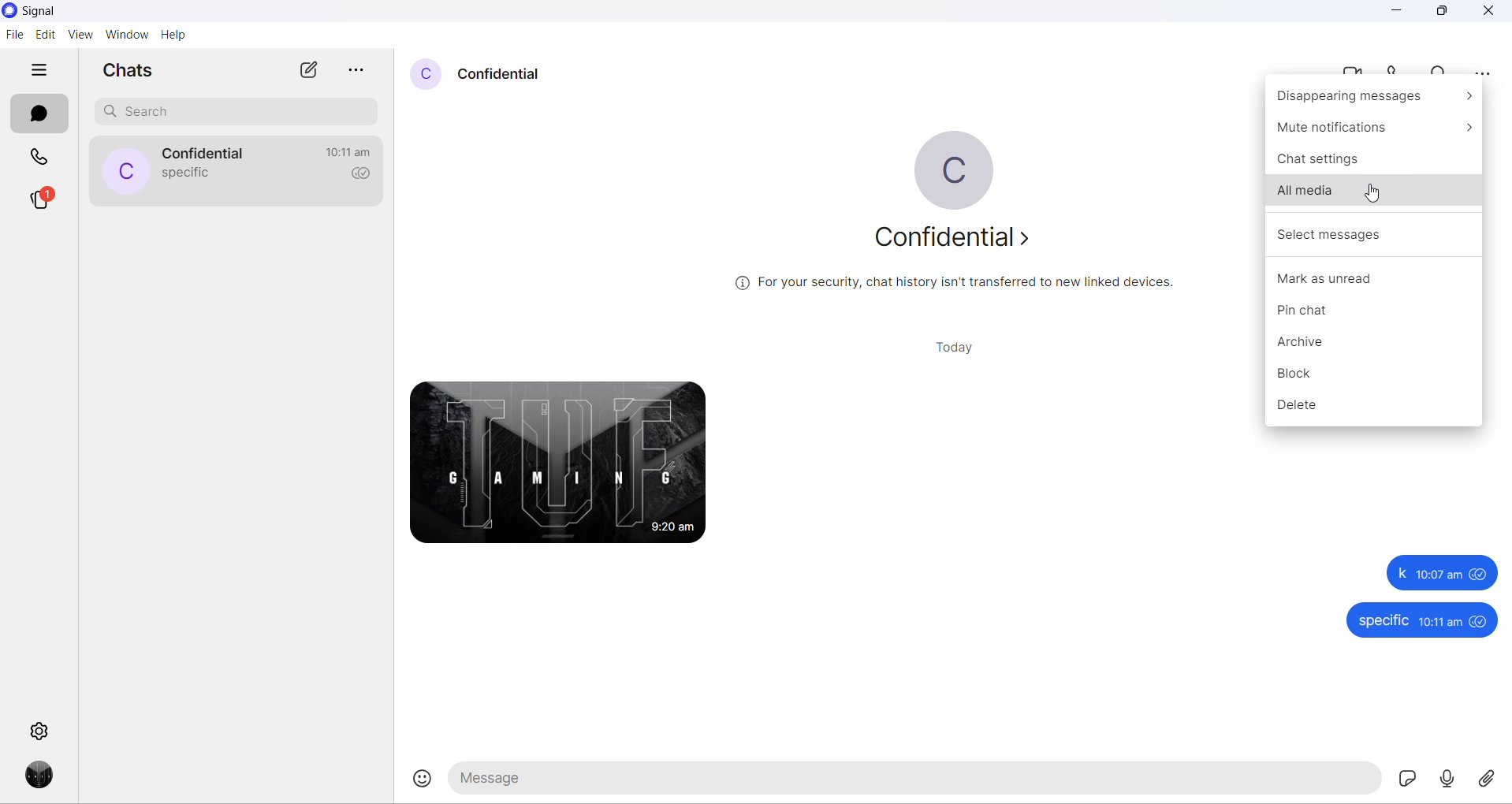 This screenshot has height=804, width=1512. Describe the element at coordinates (1451, 780) in the screenshot. I see `voice mail` at that location.